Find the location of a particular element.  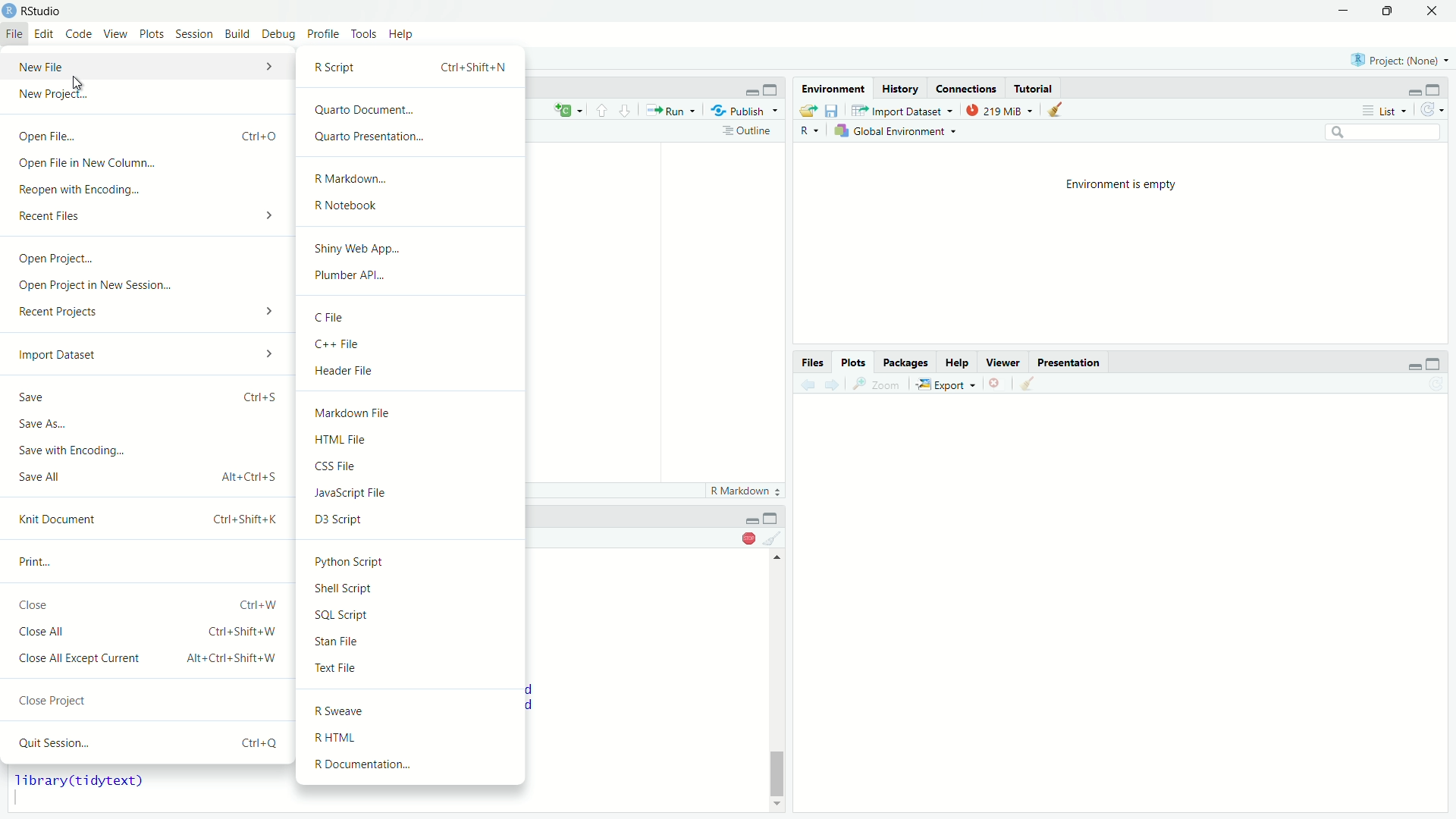

R Documentation... is located at coordinates (412, 766).